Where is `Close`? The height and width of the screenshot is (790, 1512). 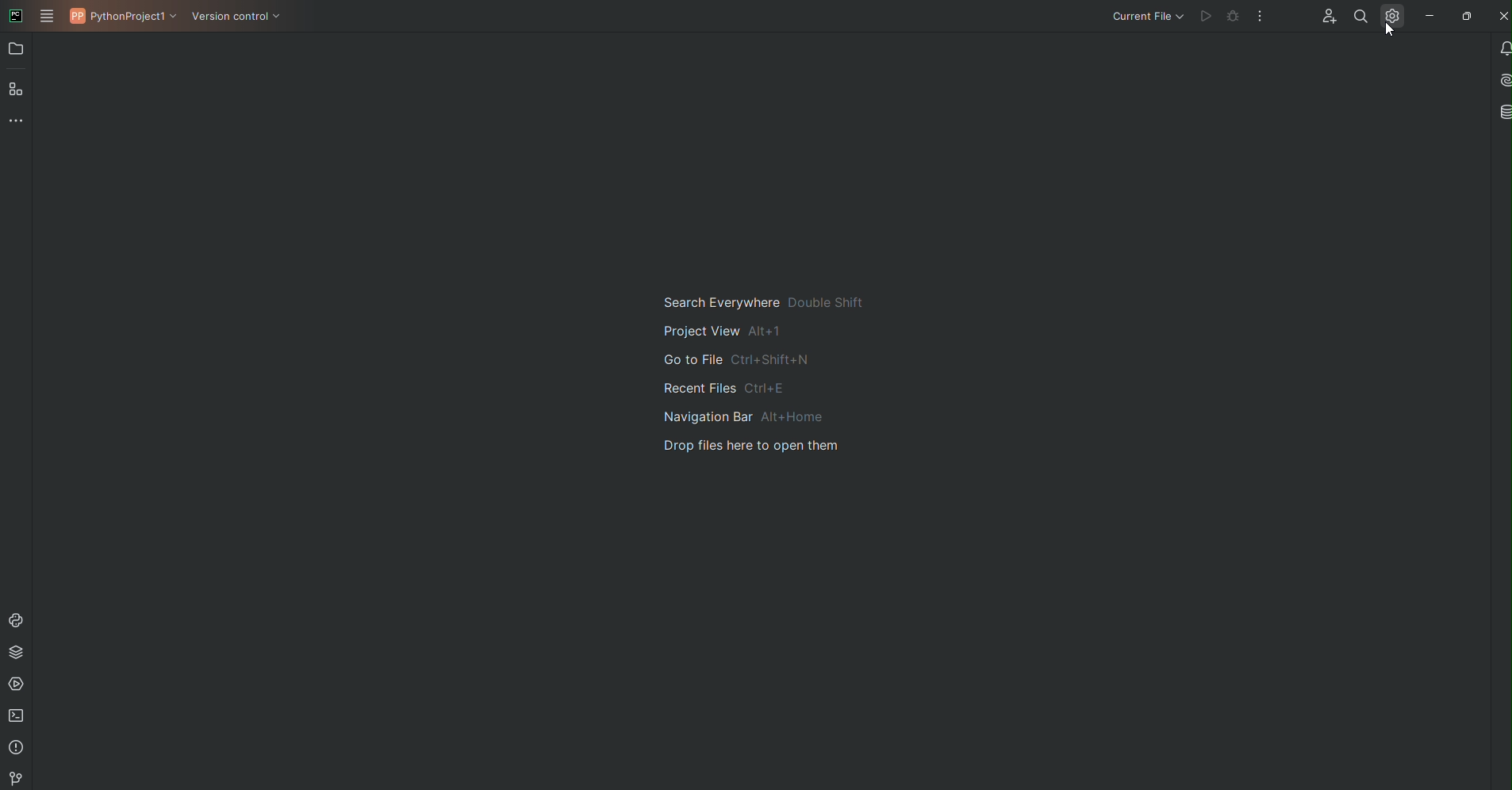 Close is located at coordinates (1501, 15).